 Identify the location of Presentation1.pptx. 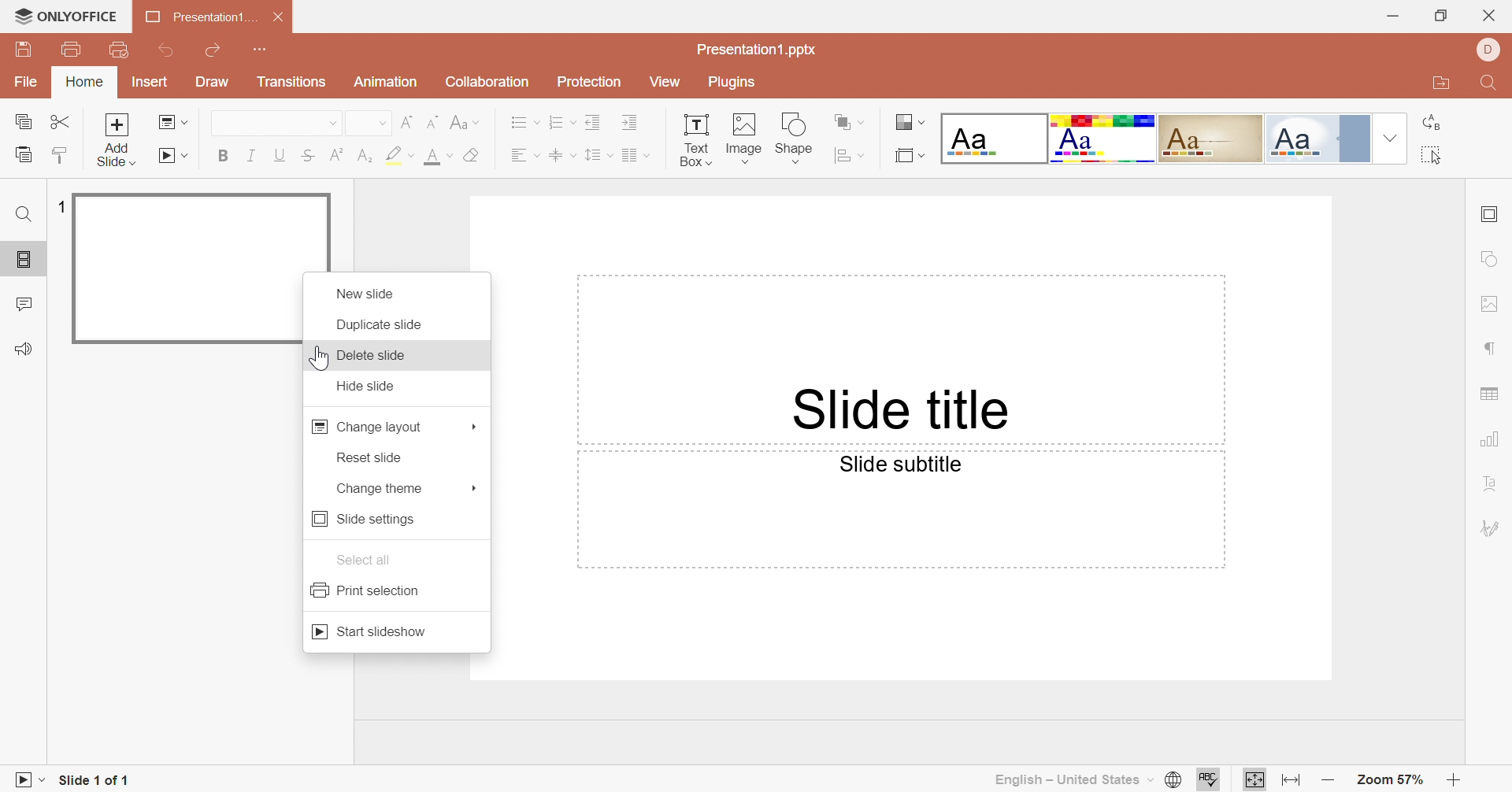
(755, 48).